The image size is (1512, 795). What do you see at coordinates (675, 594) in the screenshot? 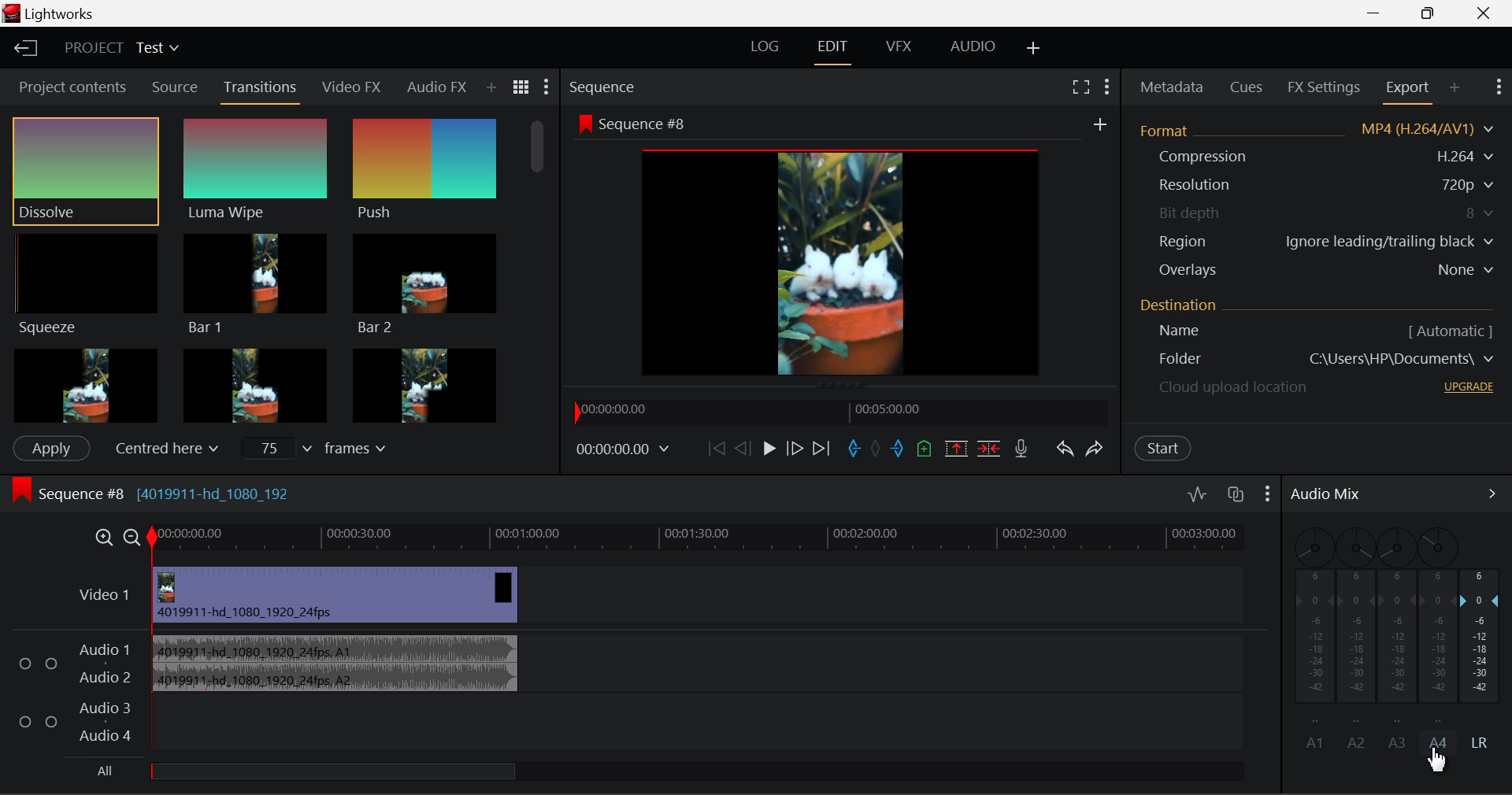
I see `Video Layer` at bounding box center [675, 594].